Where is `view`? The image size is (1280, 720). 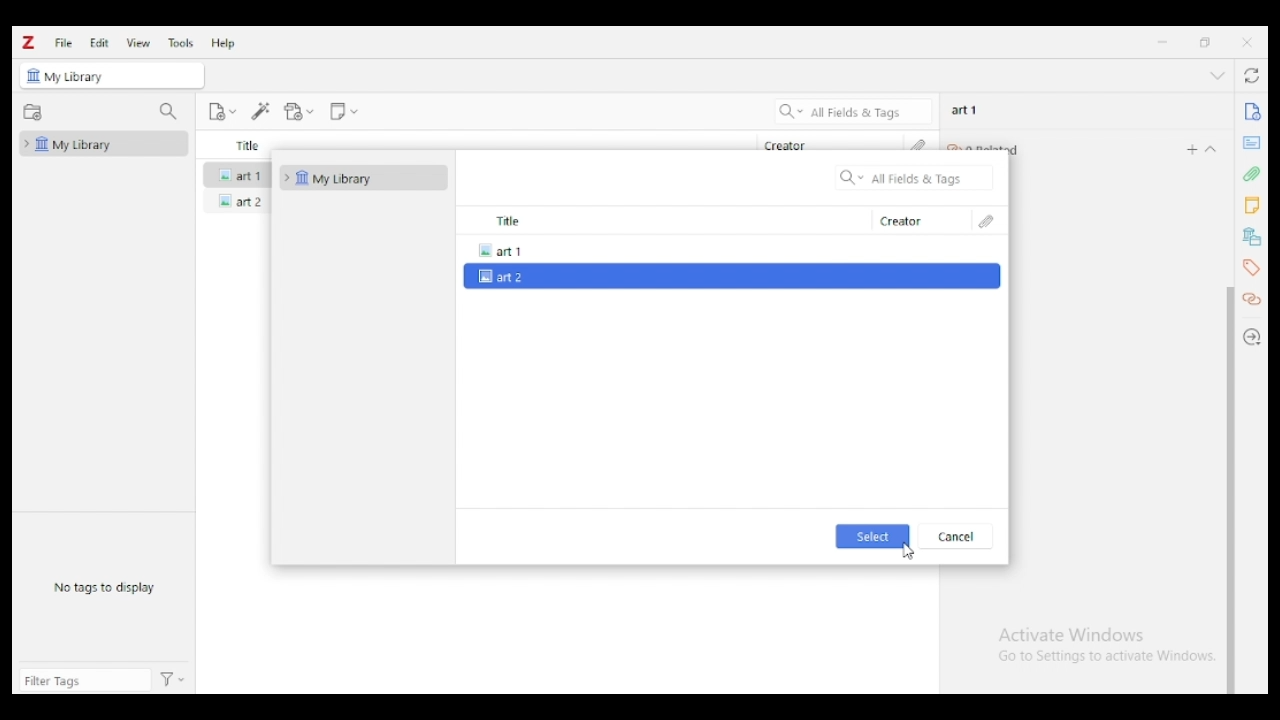
view is located at coordinates (139, 43).